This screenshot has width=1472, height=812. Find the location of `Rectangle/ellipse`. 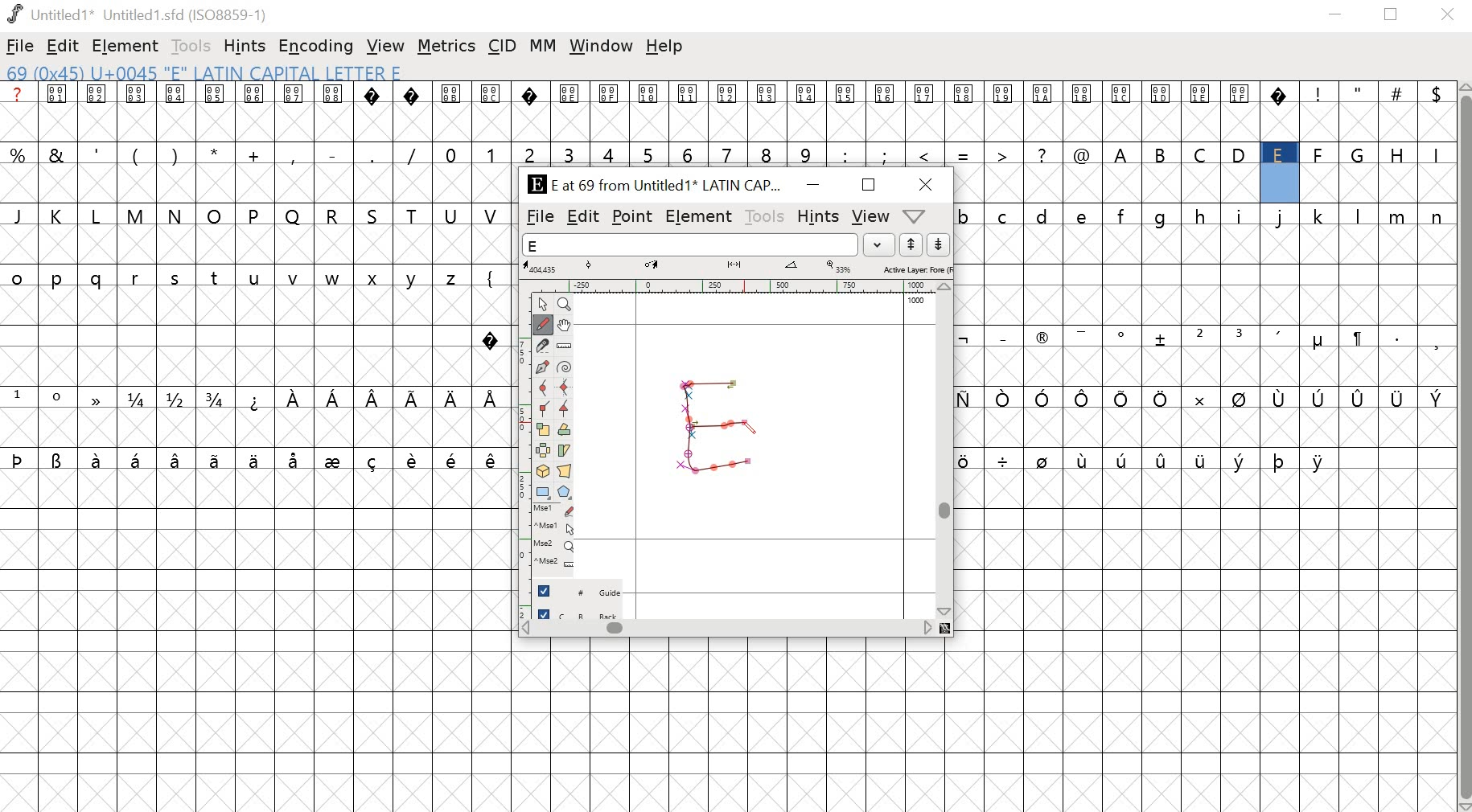

Rectangle/ellipse is located at coordinates (542, 493).